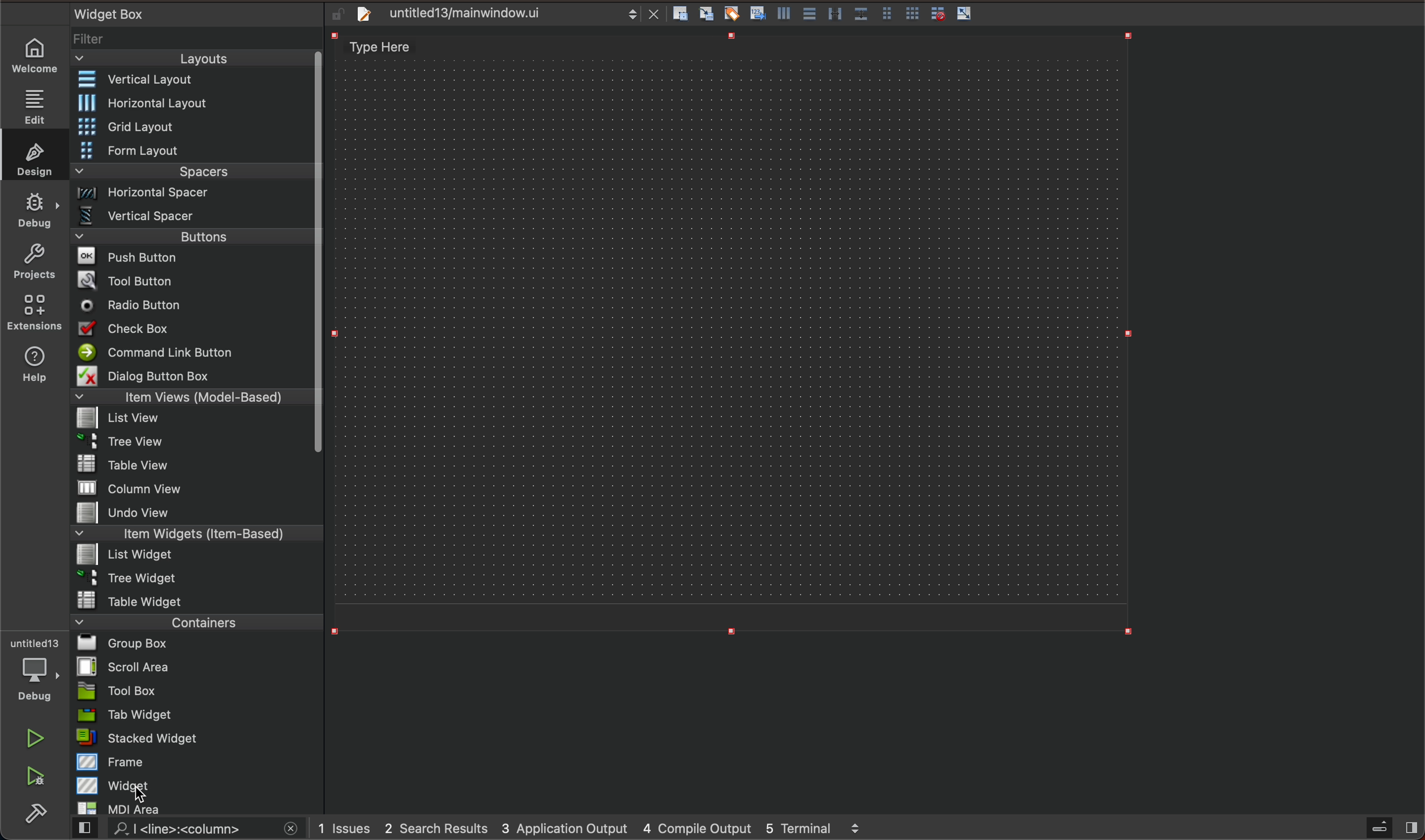 This screenshot has width=1425, height=840. What do you see at coordinates (861, 13) in the screenshot?
I see `` at bounding box center [861, 13].